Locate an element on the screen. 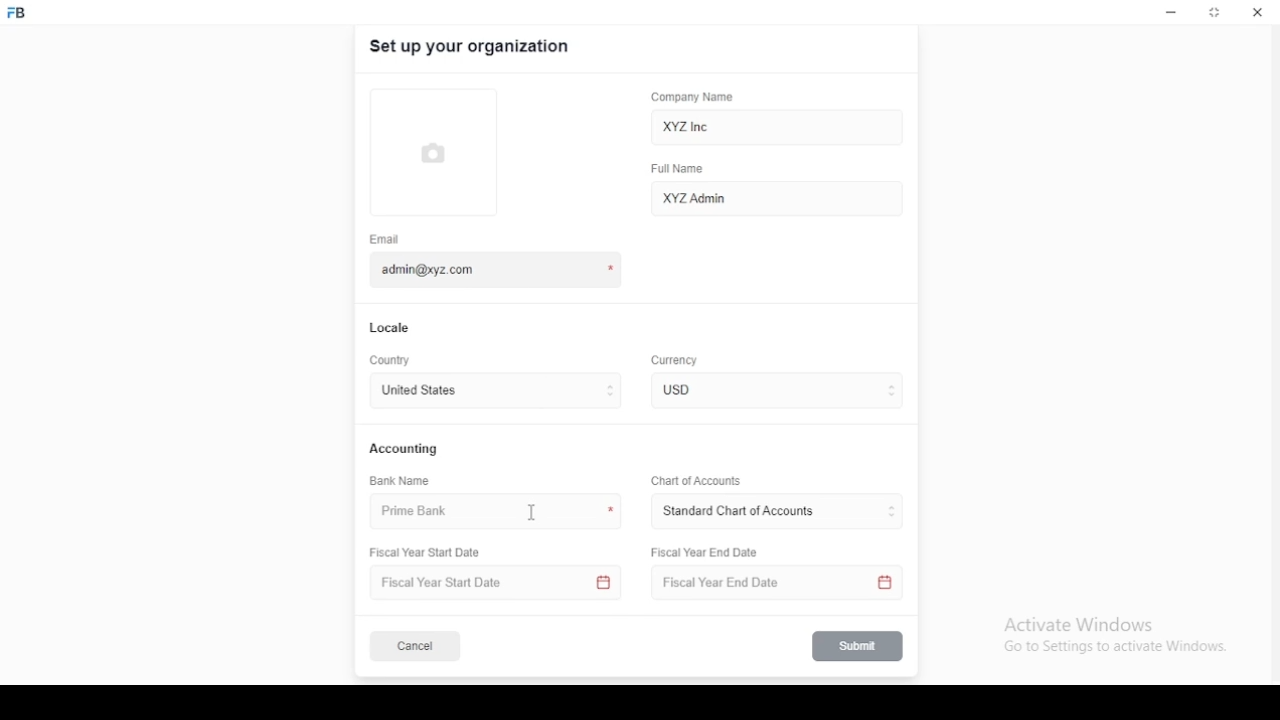 This screenshot has width=1280, height=720. Fiscal Year Start Date is located at coordinates (432, 553).